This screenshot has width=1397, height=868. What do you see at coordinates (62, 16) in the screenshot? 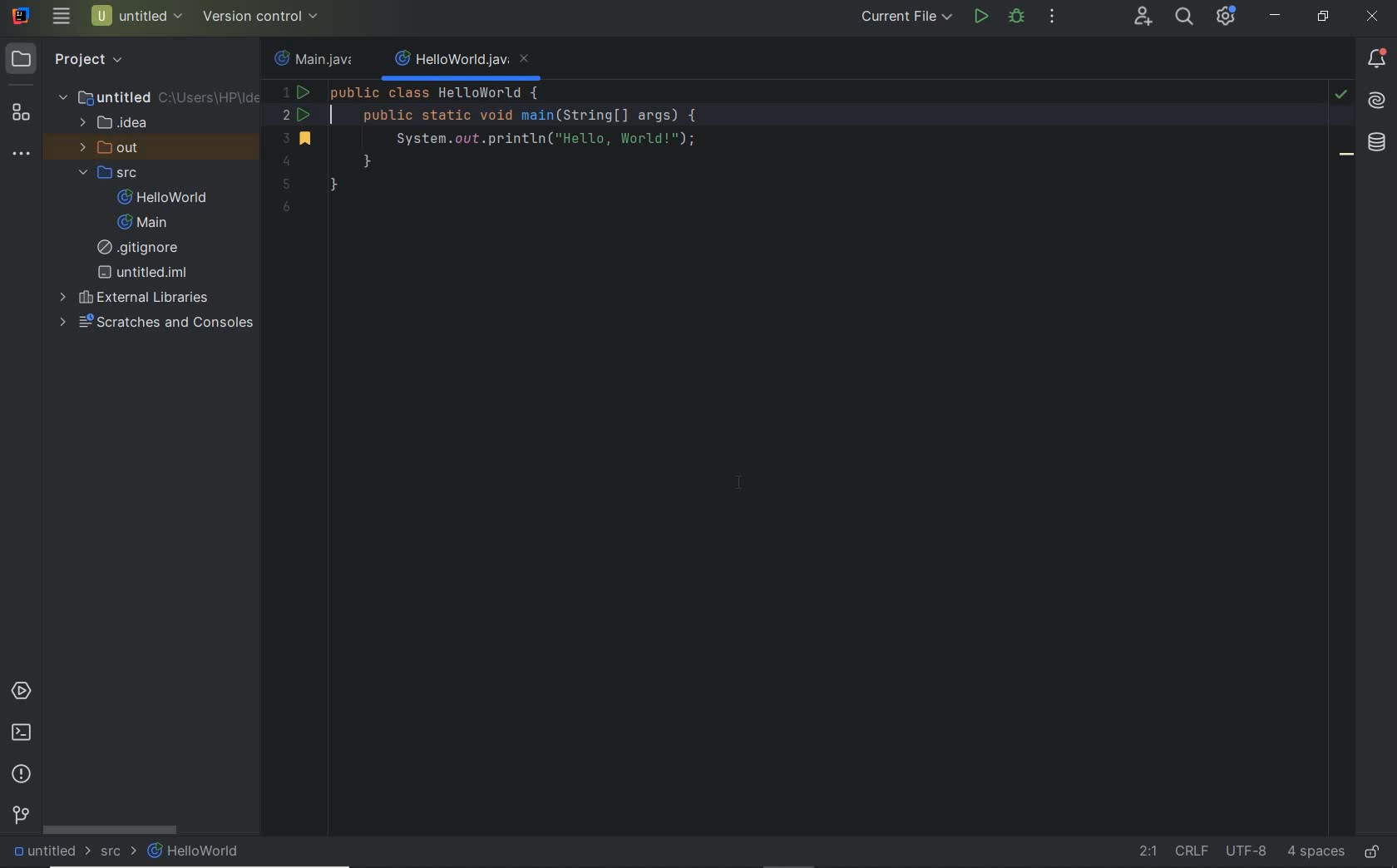
I see `main menu` at bounding box center [62, 16].